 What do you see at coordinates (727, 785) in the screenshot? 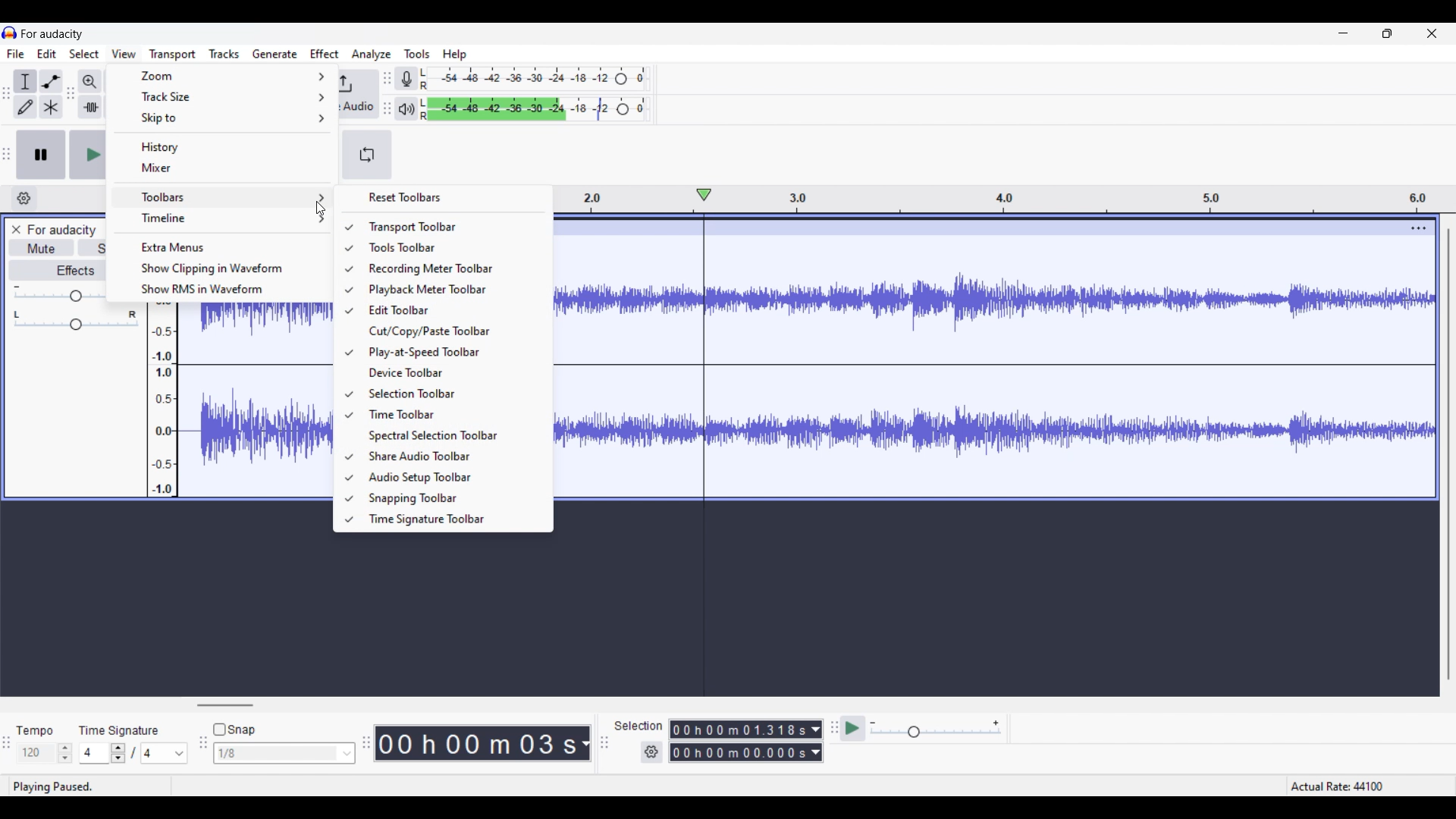
I see `Status bar details` at bounding box center [727, 785].